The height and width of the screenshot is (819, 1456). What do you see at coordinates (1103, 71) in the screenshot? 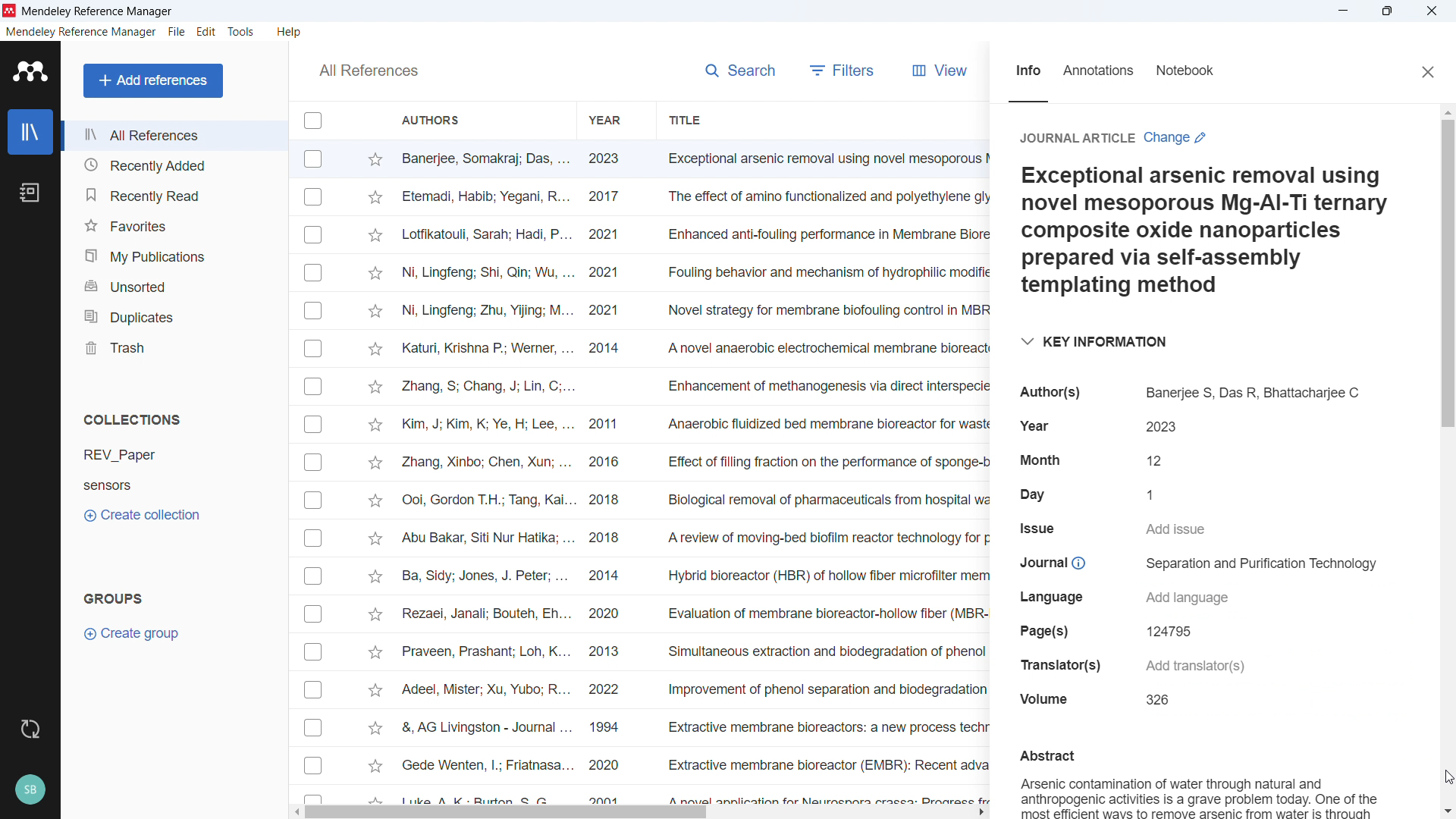
I see `annotations` at bounding box center [1103, 71].